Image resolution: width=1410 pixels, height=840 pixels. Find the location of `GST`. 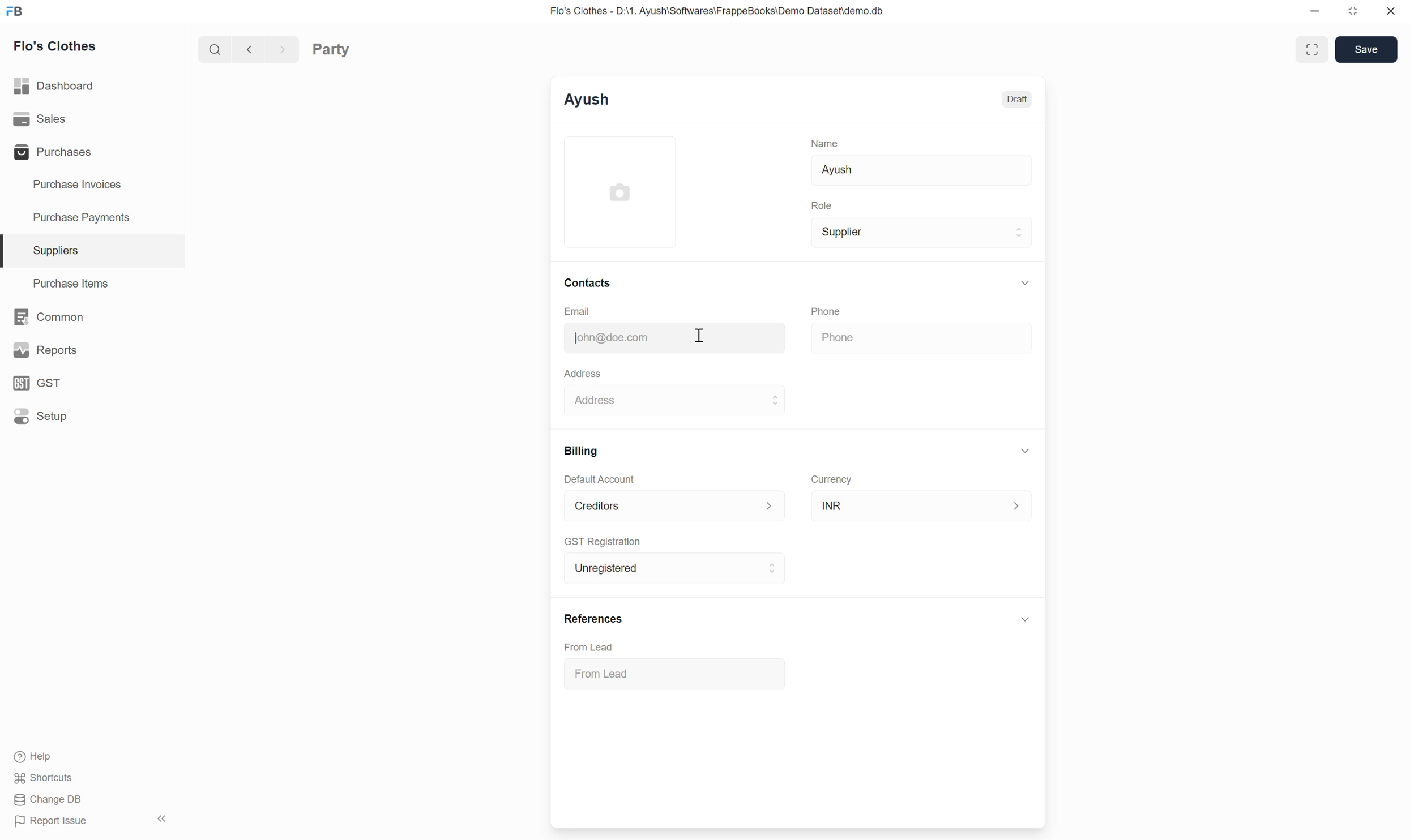

GST is located at coordinates (91, 383).